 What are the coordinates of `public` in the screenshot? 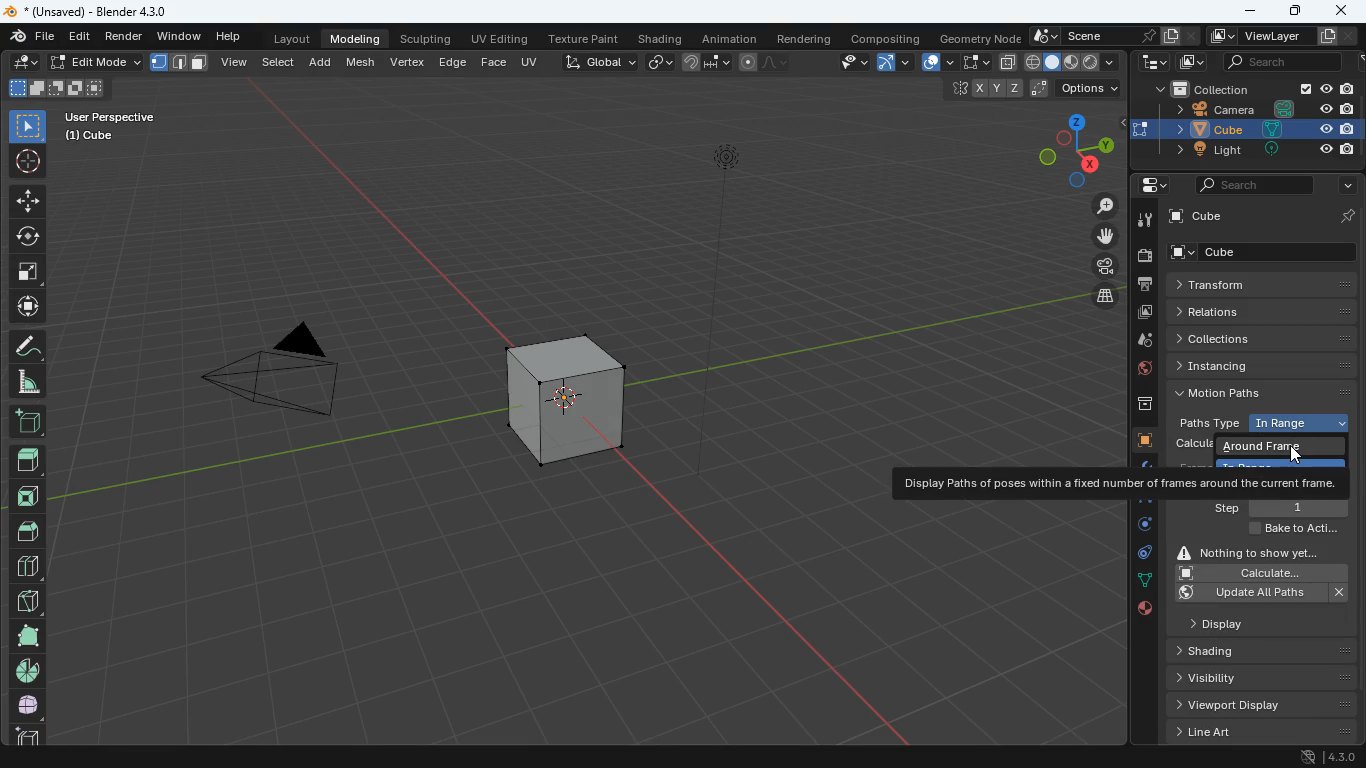 It's located at (1143, 612).